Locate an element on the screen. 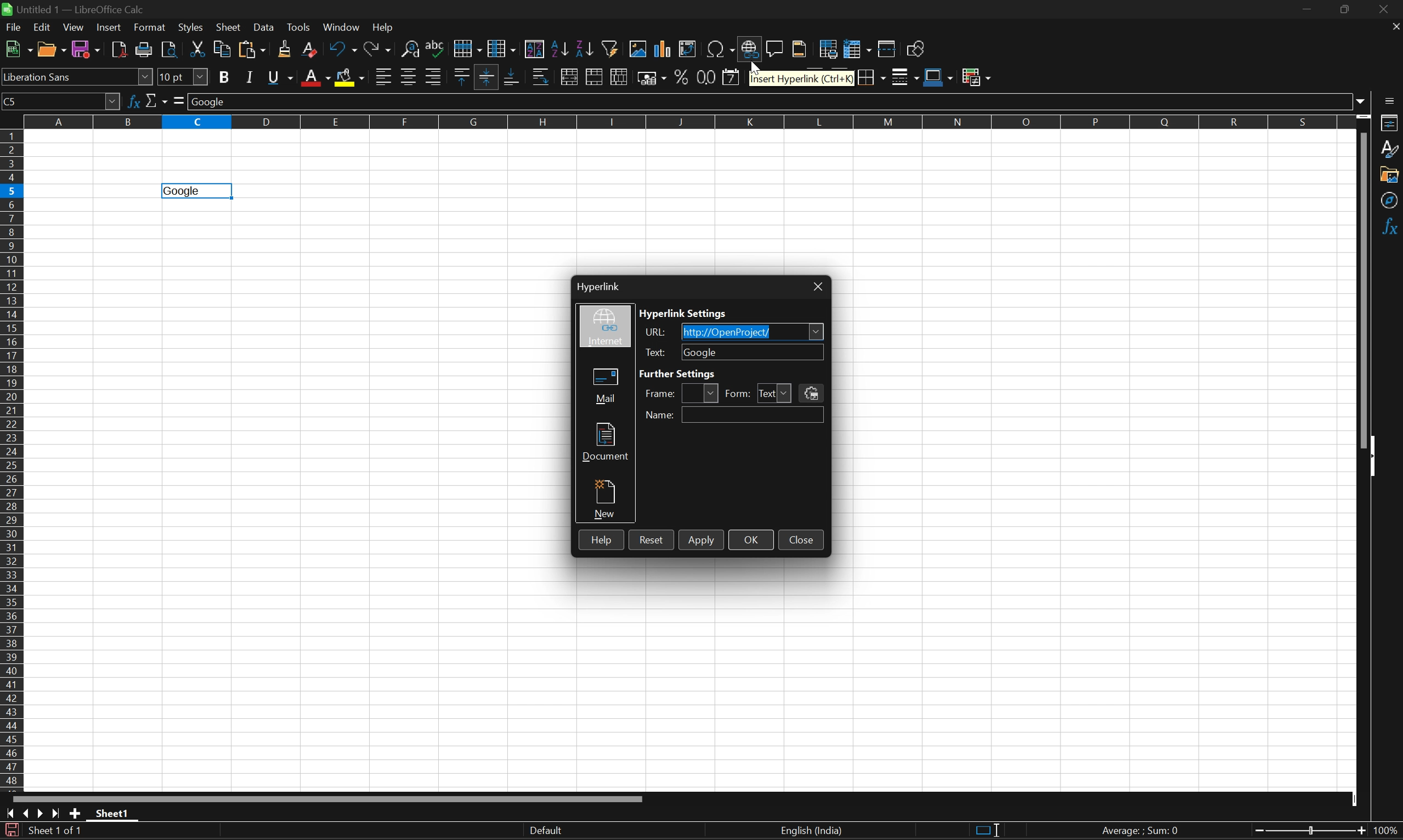 Image resolution: width=1403 pixels, height=840 pixels. Paste is located at coordinates (251, 50).